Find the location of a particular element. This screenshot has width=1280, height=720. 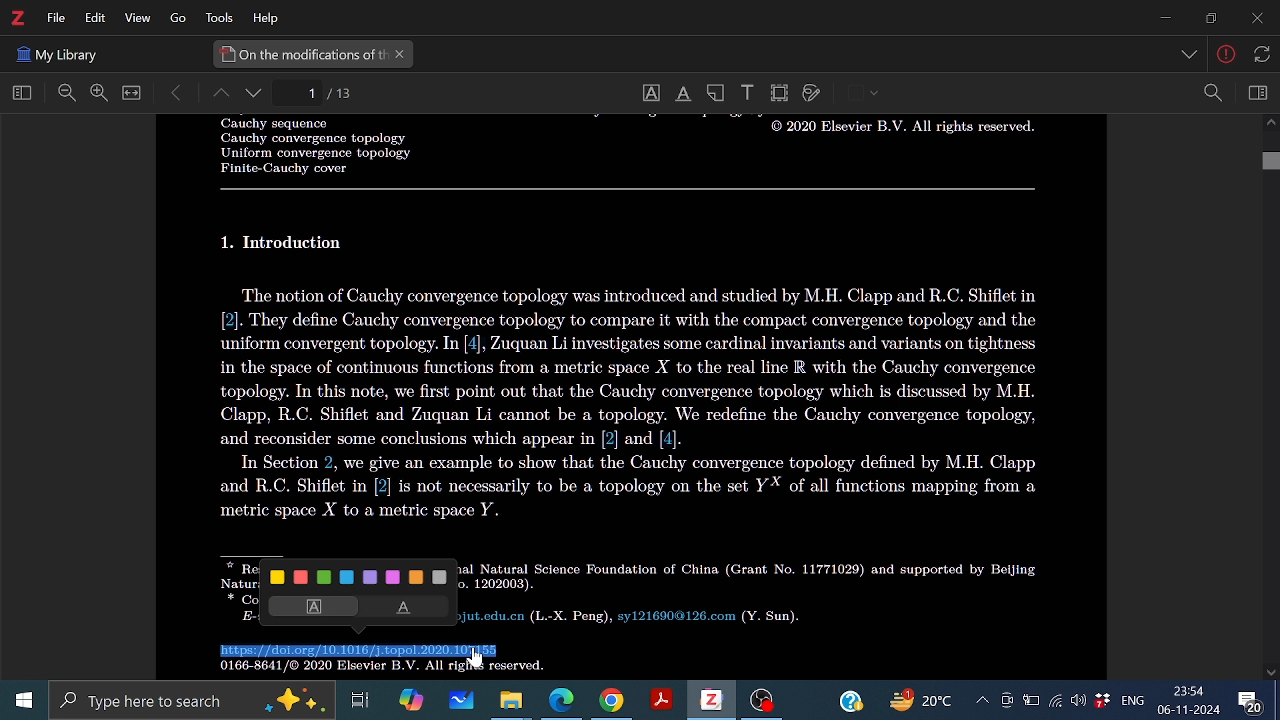

Home view is located at coordinates (18, 94).